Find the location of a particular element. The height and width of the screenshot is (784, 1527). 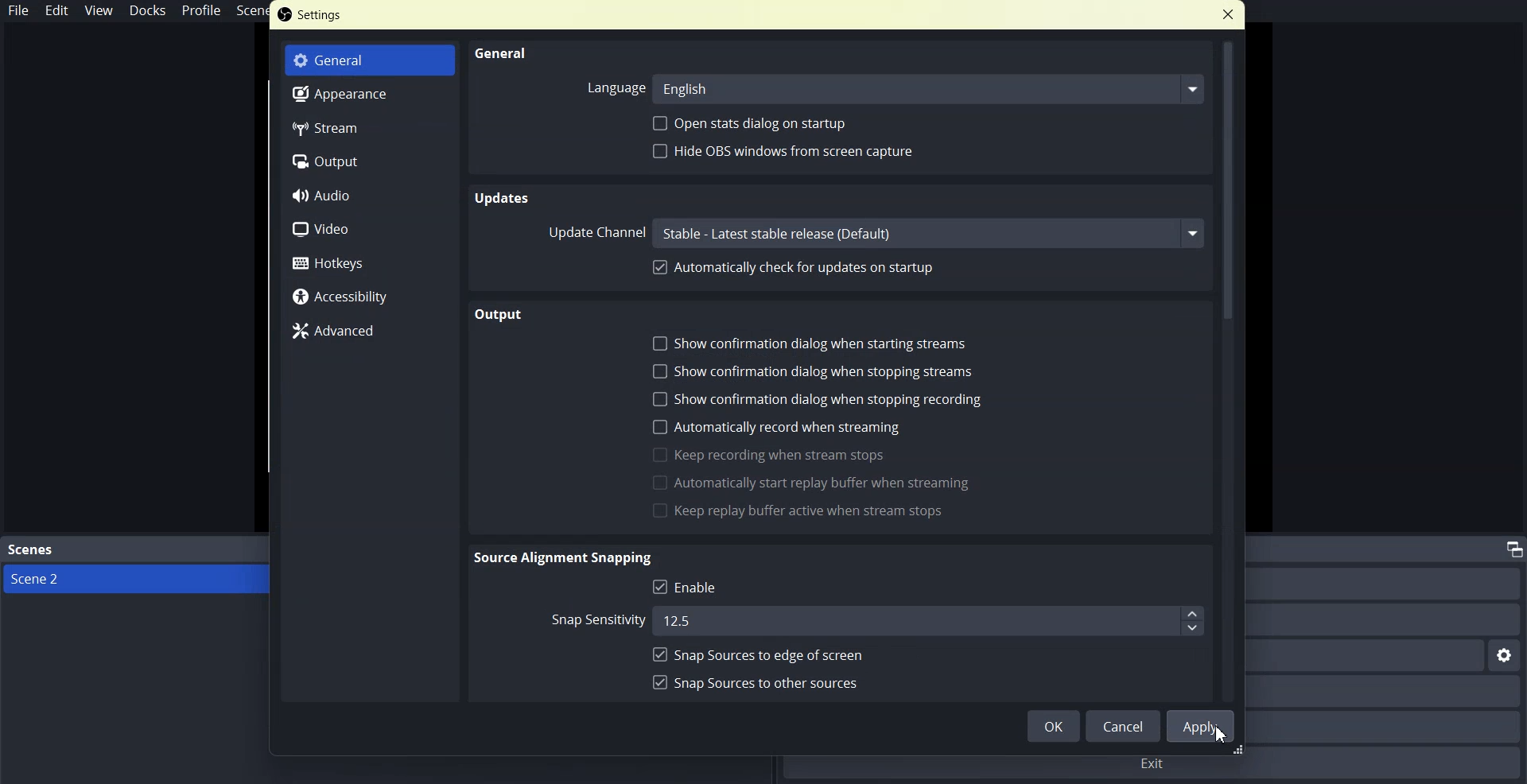

Hotkeys is located at coordinates (370, 260).